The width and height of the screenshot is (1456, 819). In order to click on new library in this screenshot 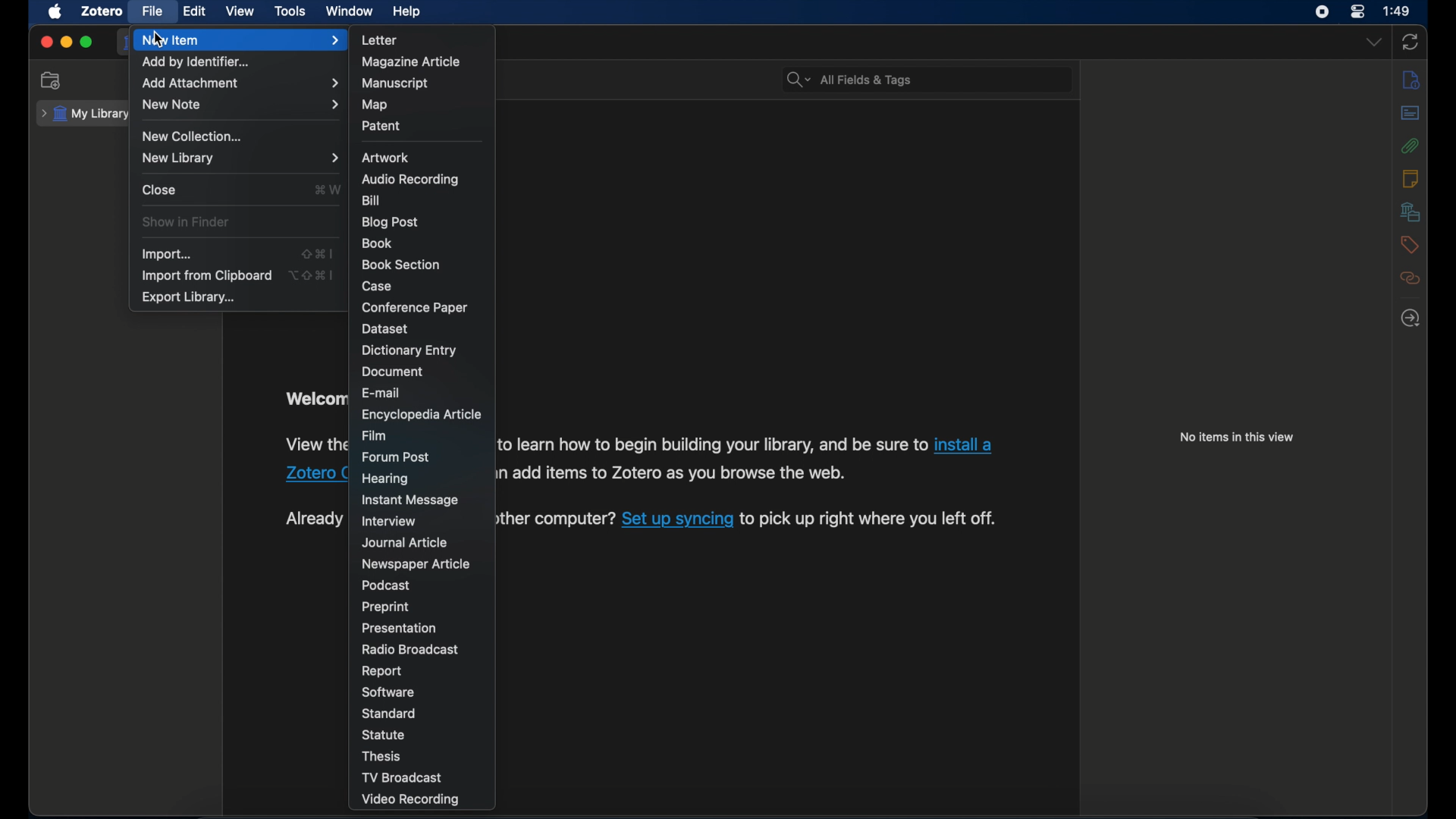, I will do `click(238, 158)`.